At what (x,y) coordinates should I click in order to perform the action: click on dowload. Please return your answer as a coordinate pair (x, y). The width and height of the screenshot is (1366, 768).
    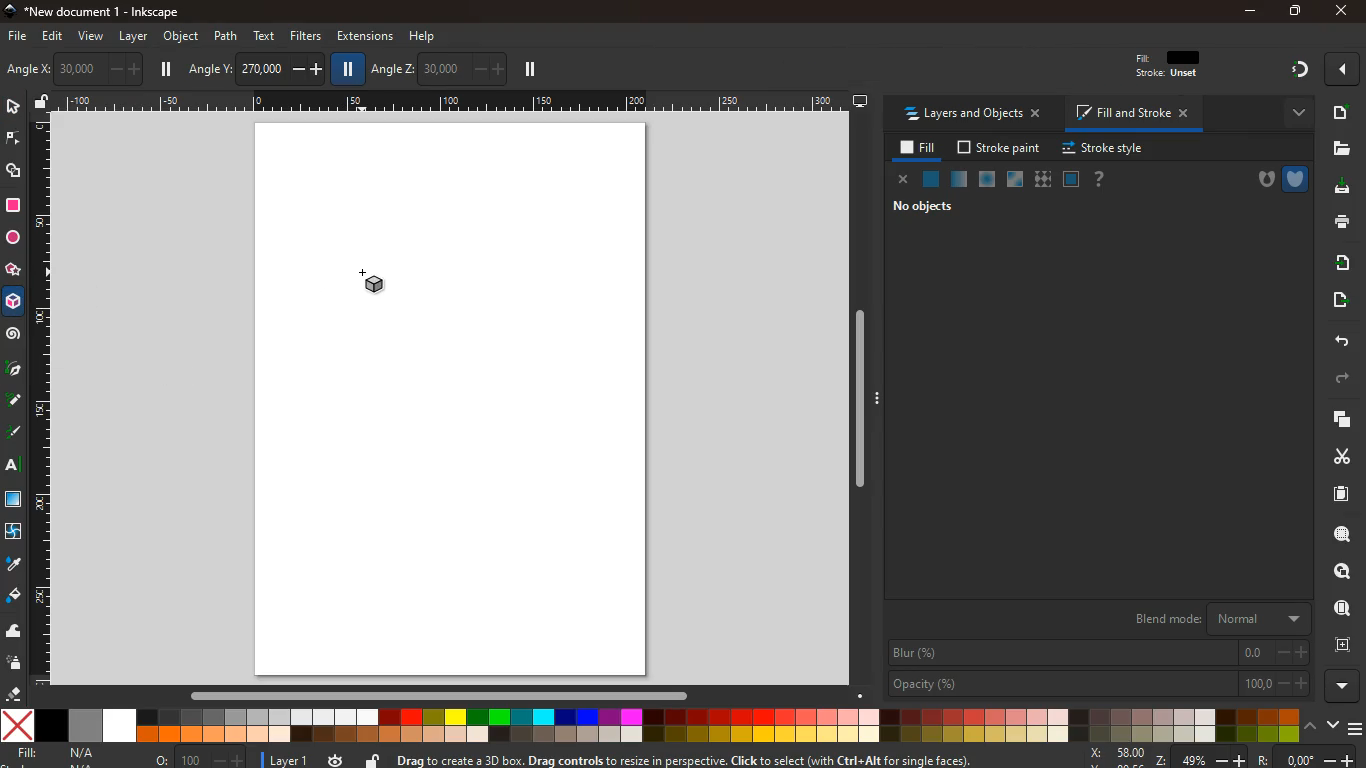
    Looking at the image, I should click on (1338, 187).